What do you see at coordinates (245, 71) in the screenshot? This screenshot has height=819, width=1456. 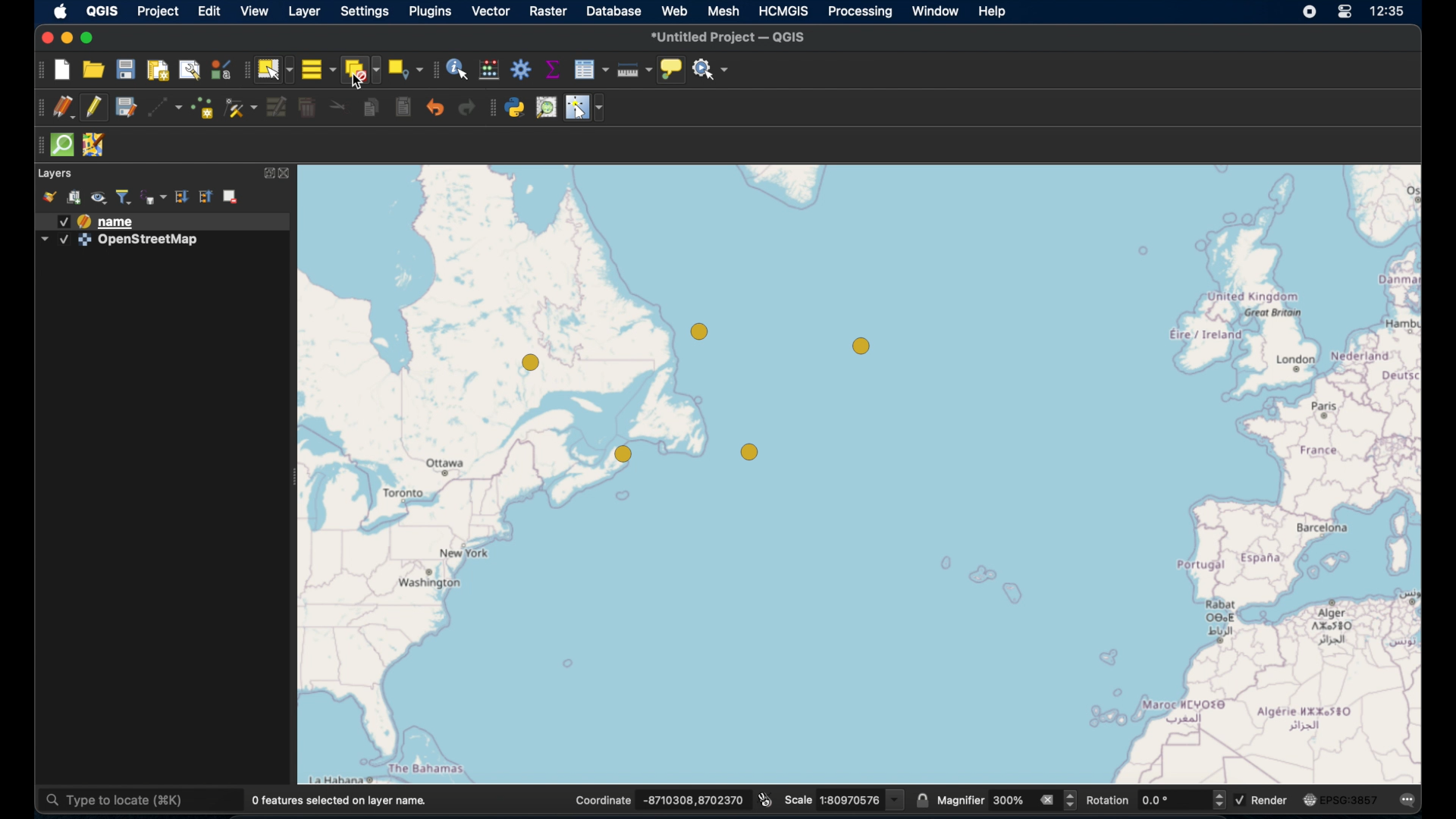 I see `selection toolbar` at bounding box center [245, 71].